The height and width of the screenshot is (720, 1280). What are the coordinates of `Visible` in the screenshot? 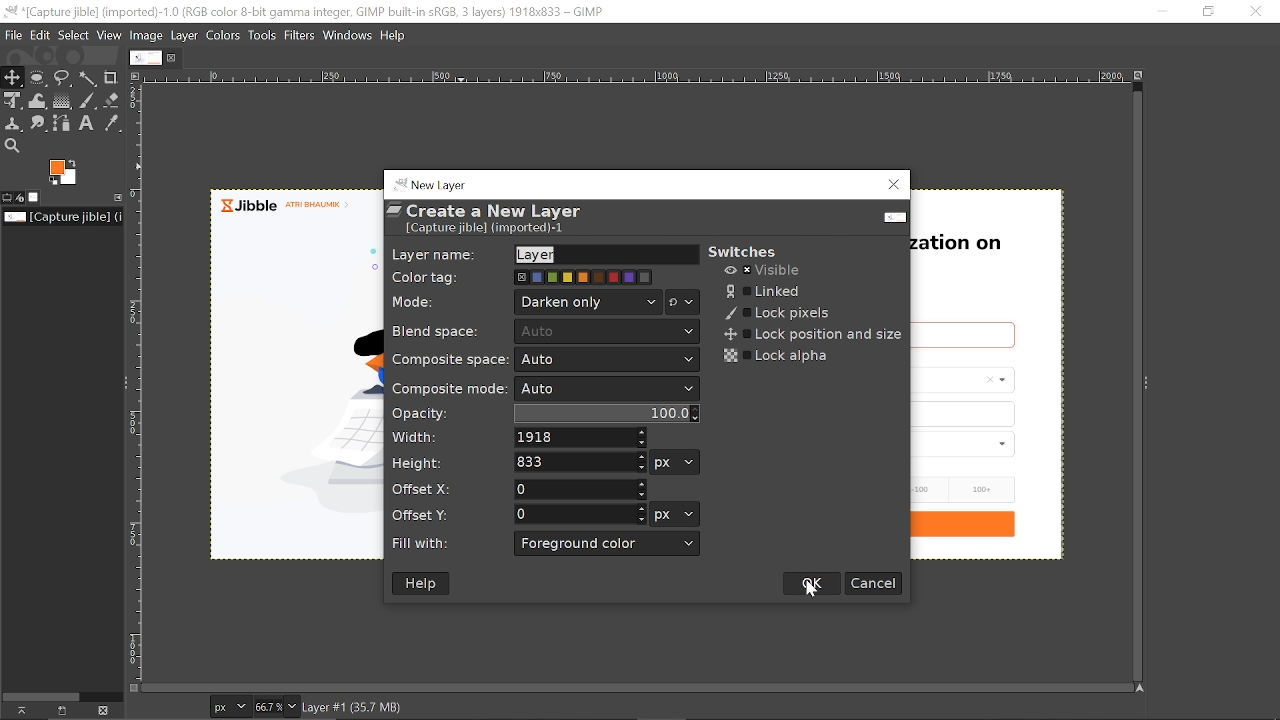 It's located at (762, 271).